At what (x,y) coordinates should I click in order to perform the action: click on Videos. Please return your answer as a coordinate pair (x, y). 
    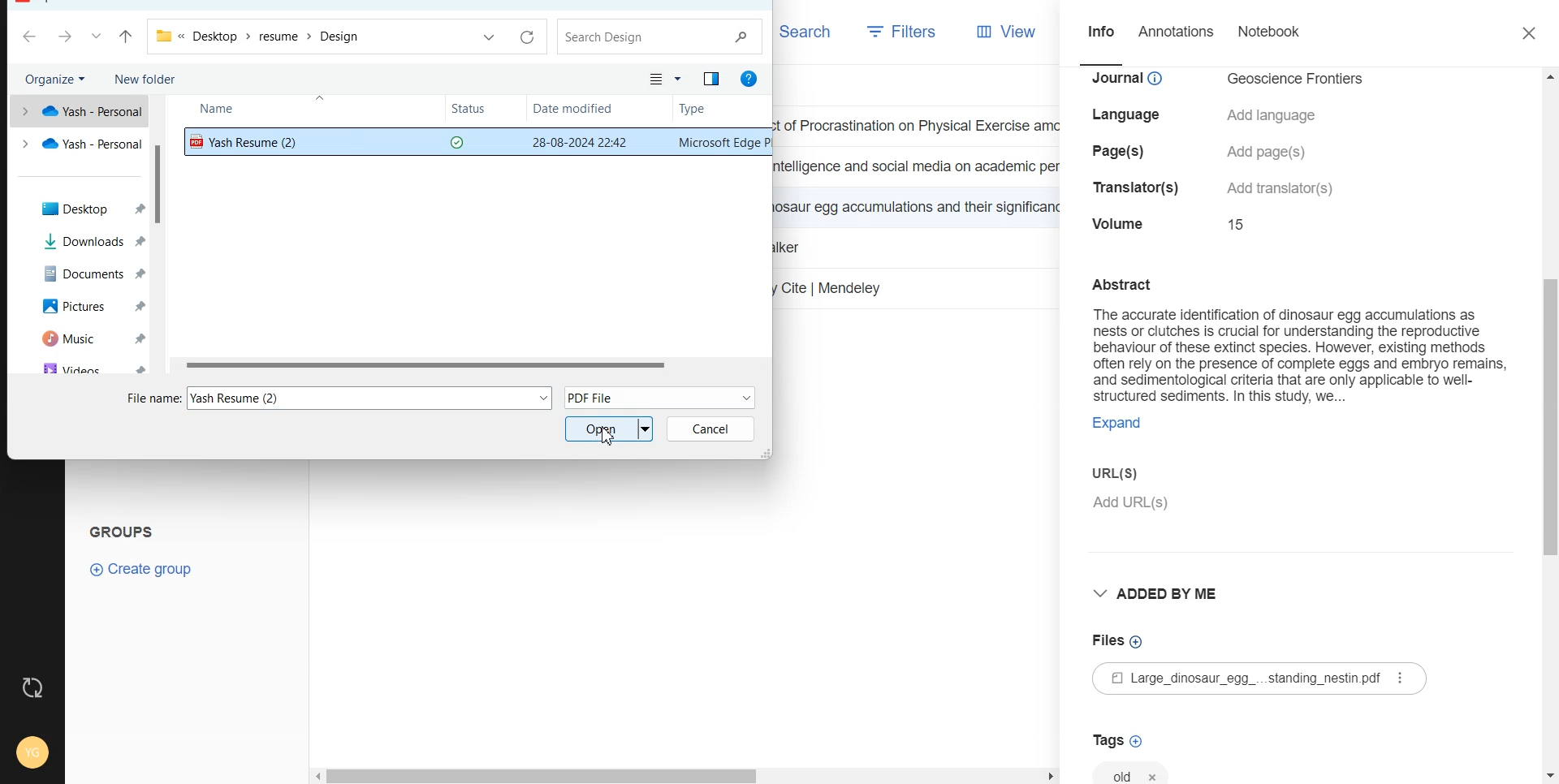
    Looking at the image, I should click on (79, 367).